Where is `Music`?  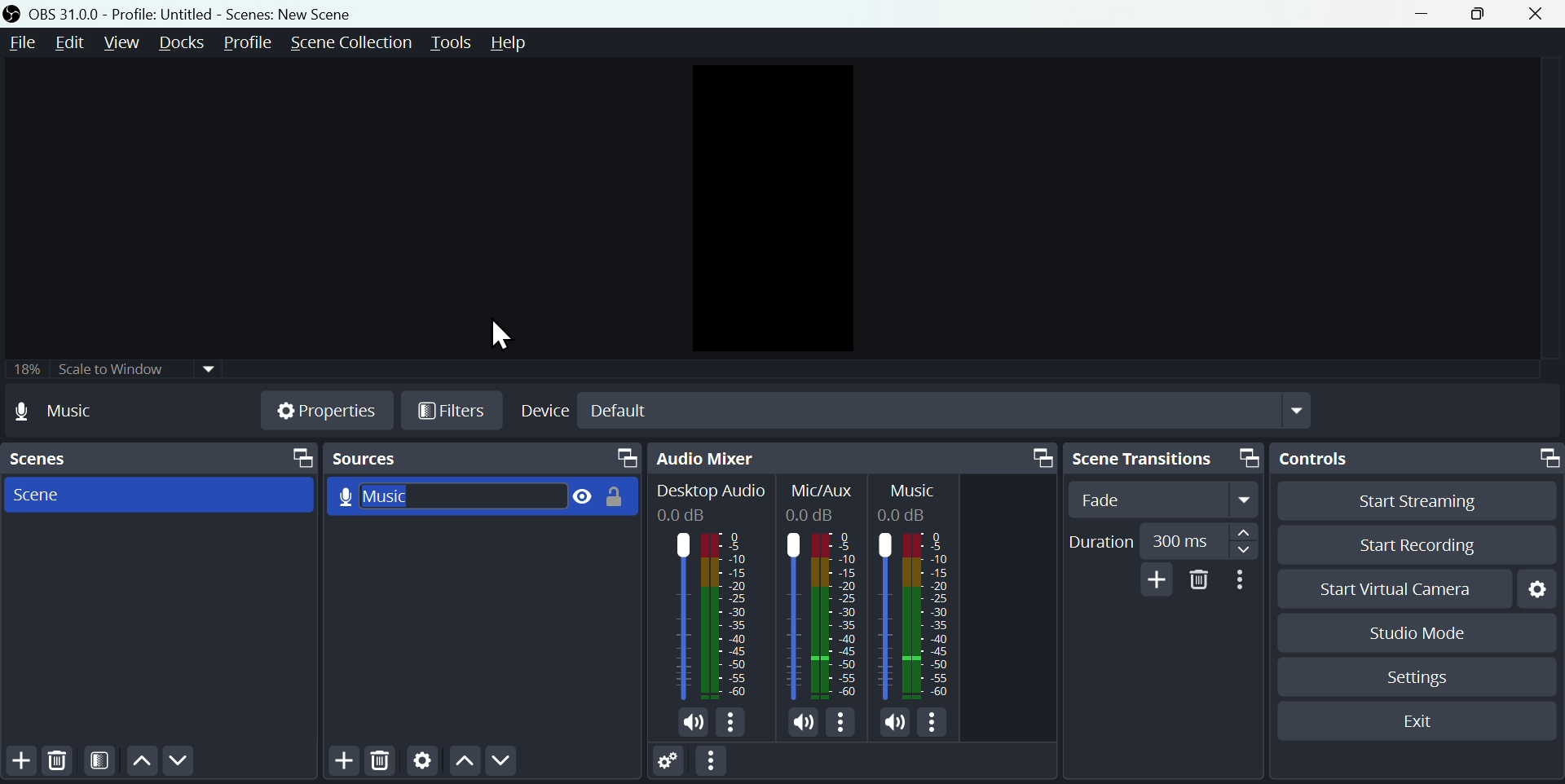
Music is located at coordinates (379, 495).